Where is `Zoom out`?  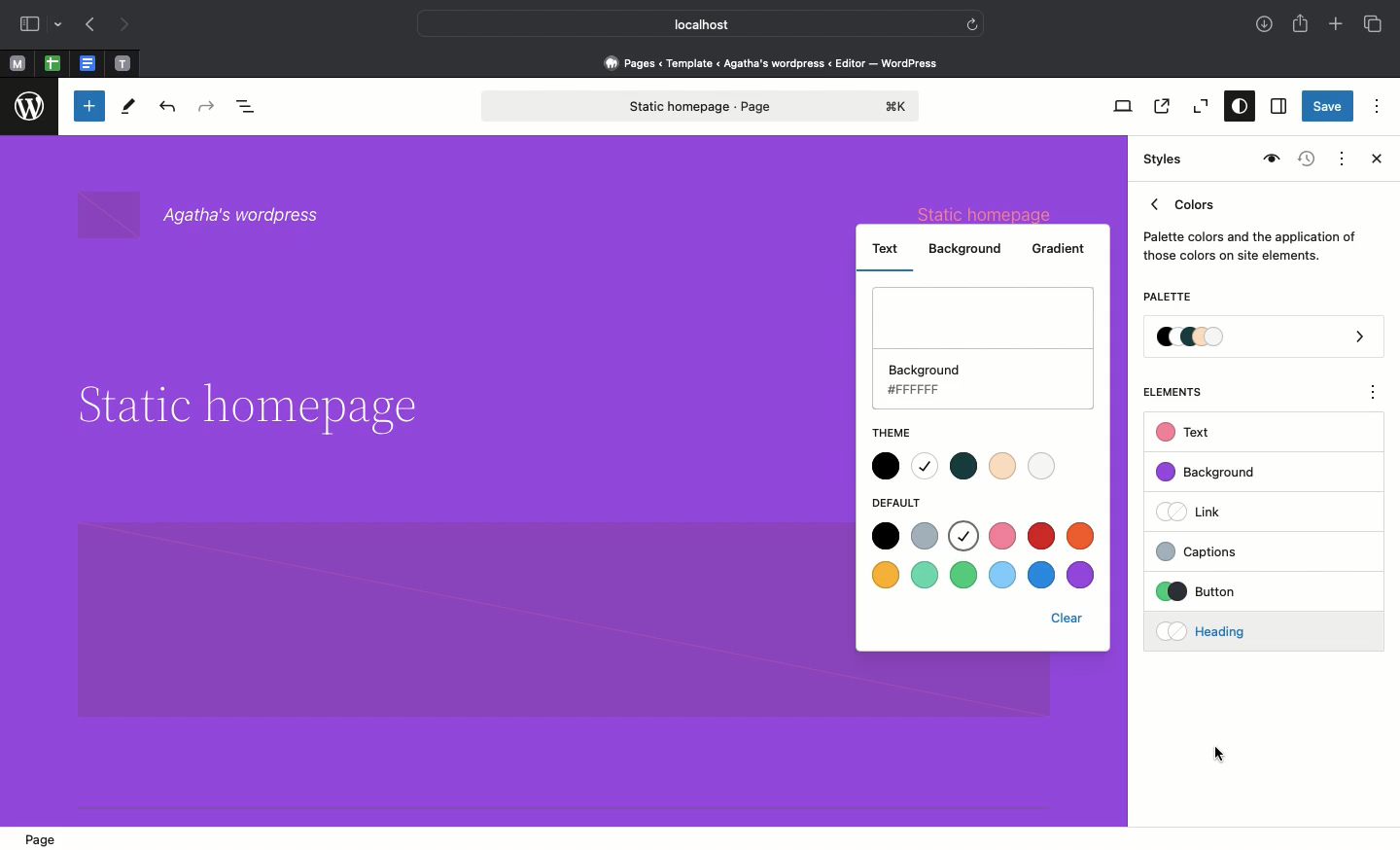 Zoom out is located at coordinates (1198, 107).